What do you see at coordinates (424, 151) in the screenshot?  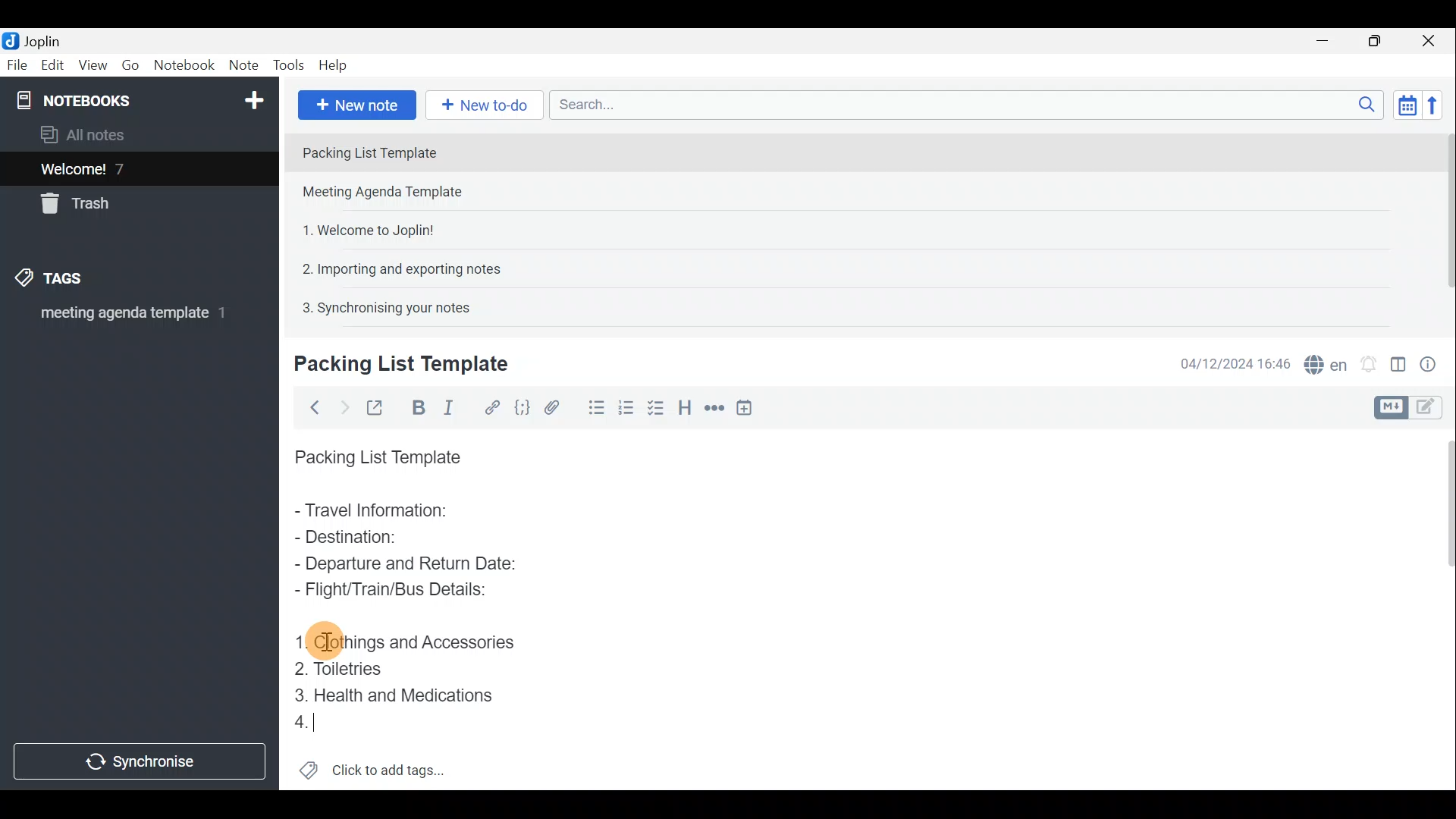 I see `Note 1` at bounding box center [424, 151].